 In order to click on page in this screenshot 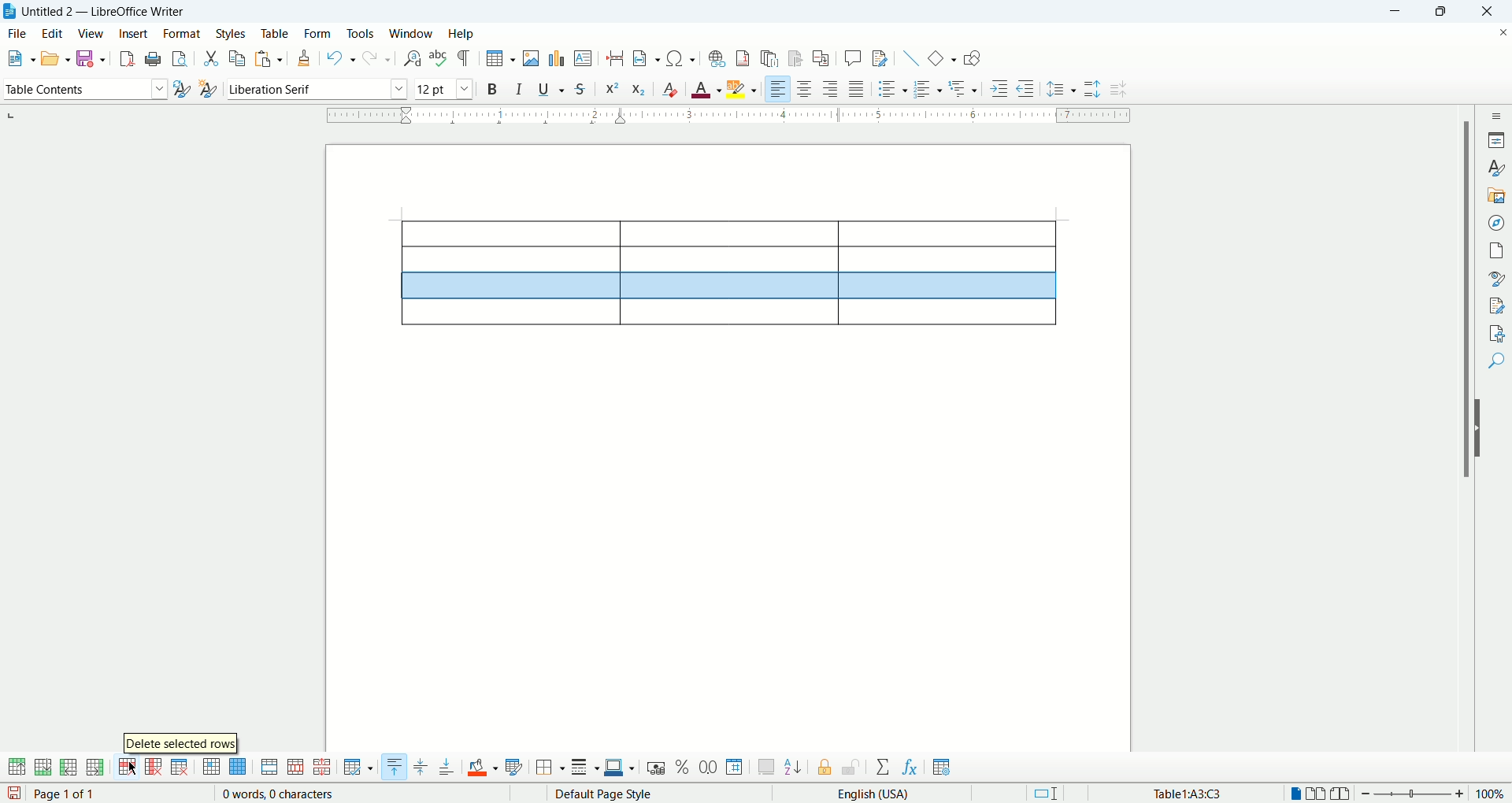, I will do `click(1494, 250)`.